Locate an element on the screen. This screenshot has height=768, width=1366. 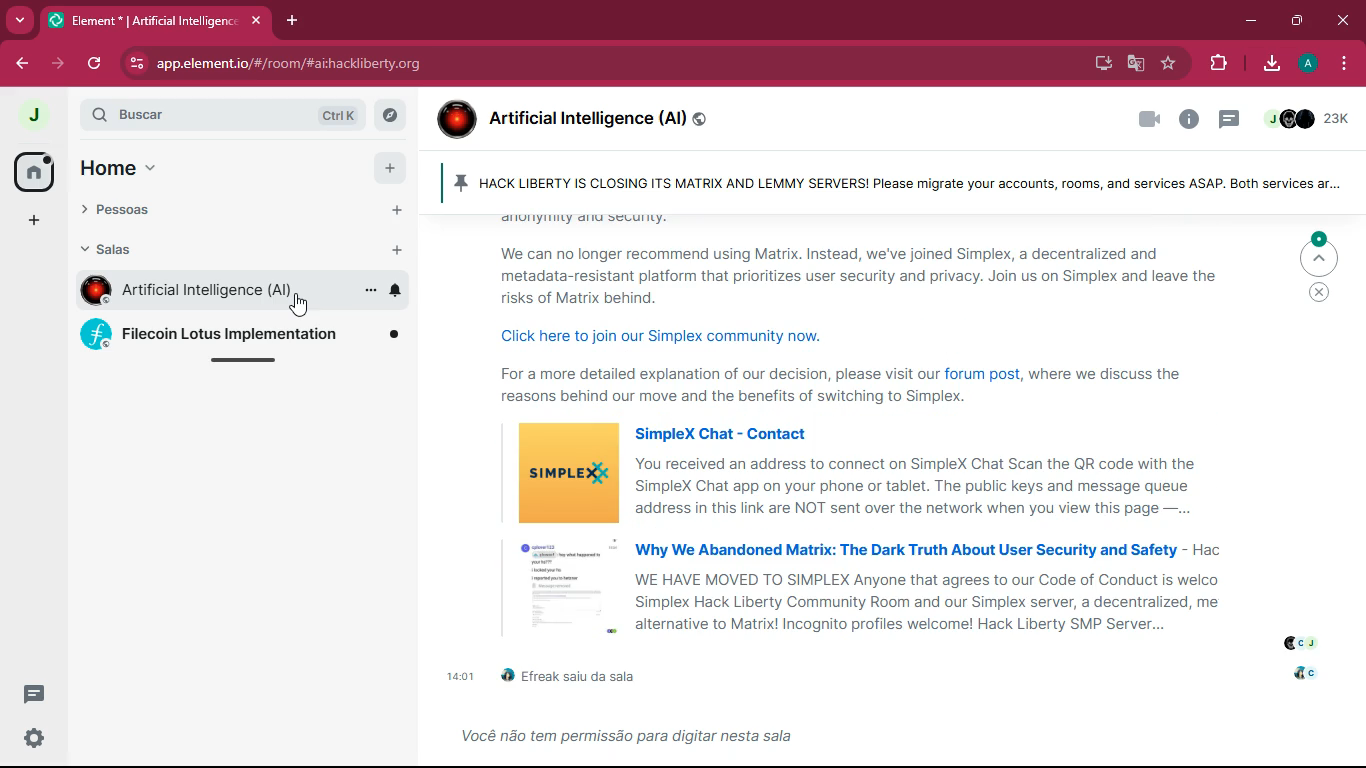
settings is located at coordinates (31, 739).